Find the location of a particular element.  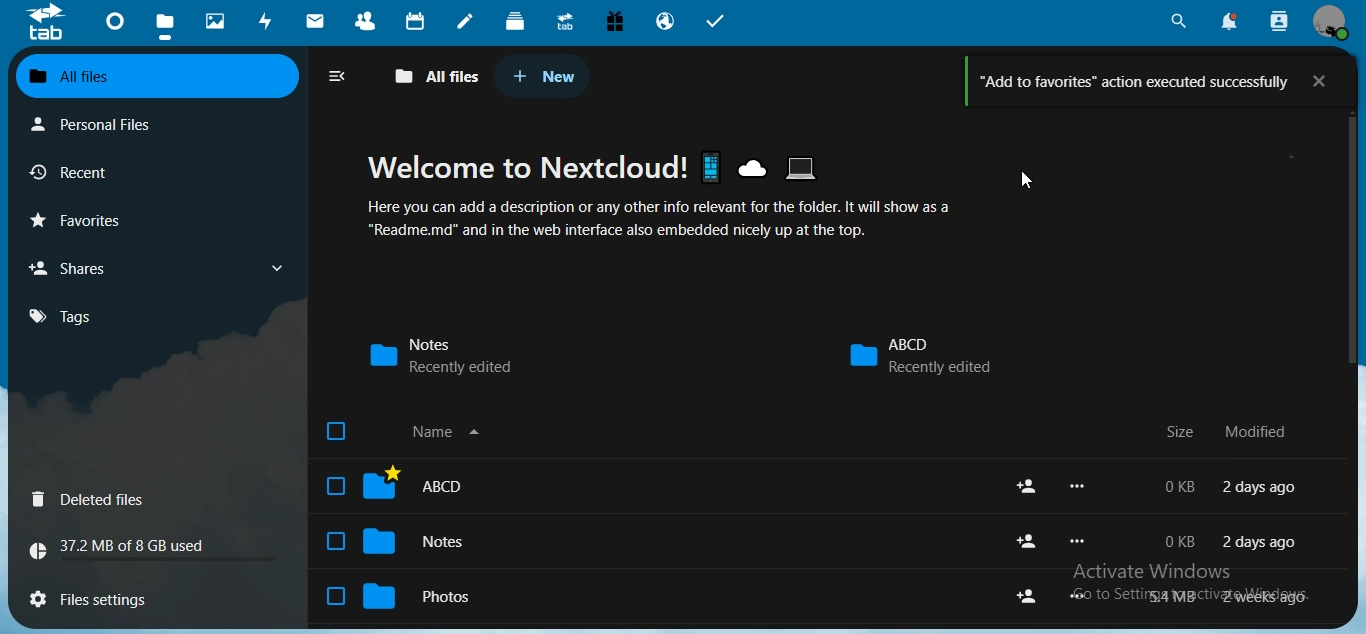

abcd is located at coordinates (919, 354).